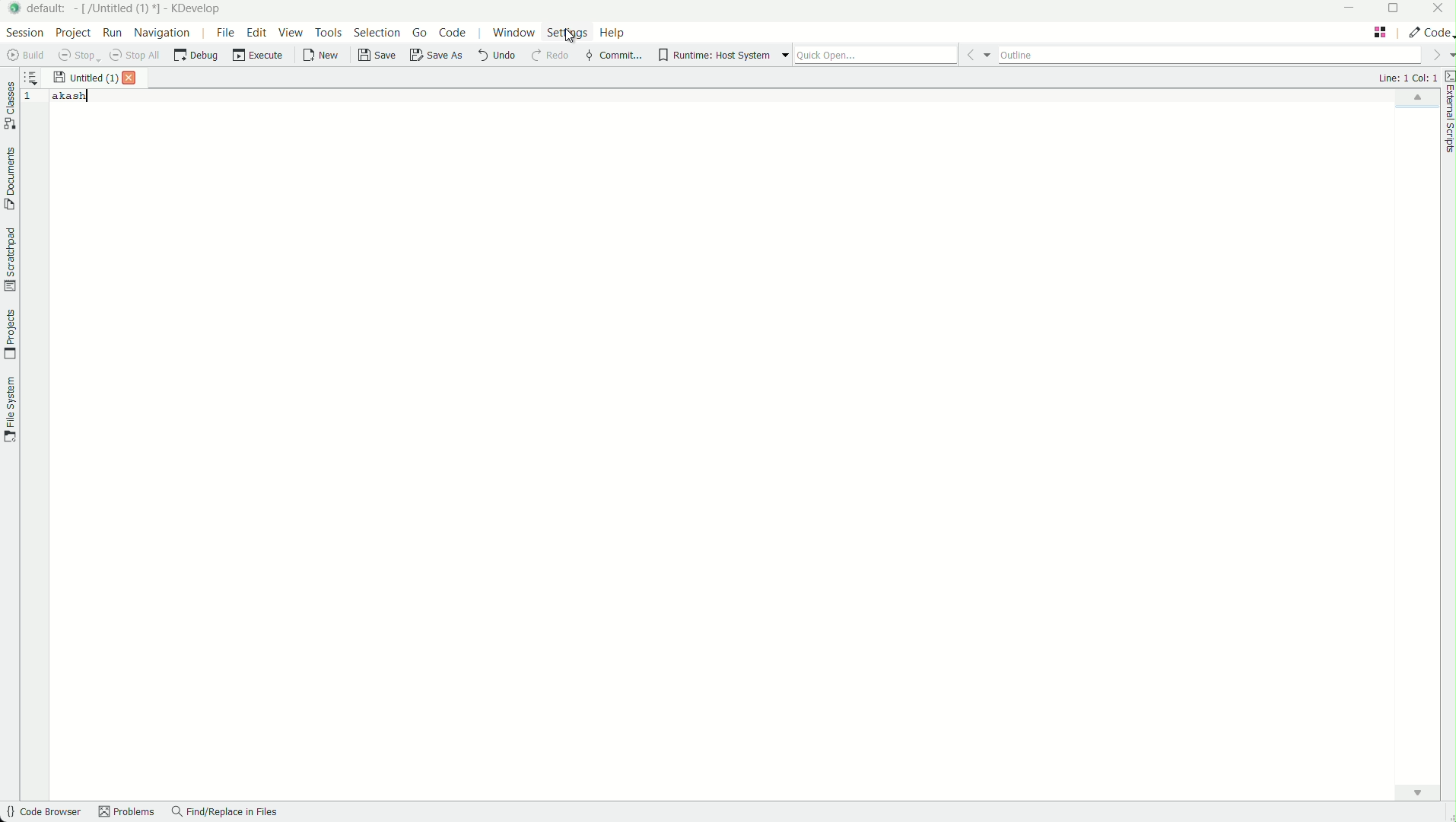 The image size is (1456, 822). Describe the element at coordinates (1350, 9) in the screenshot. I see `minimize` at that location.